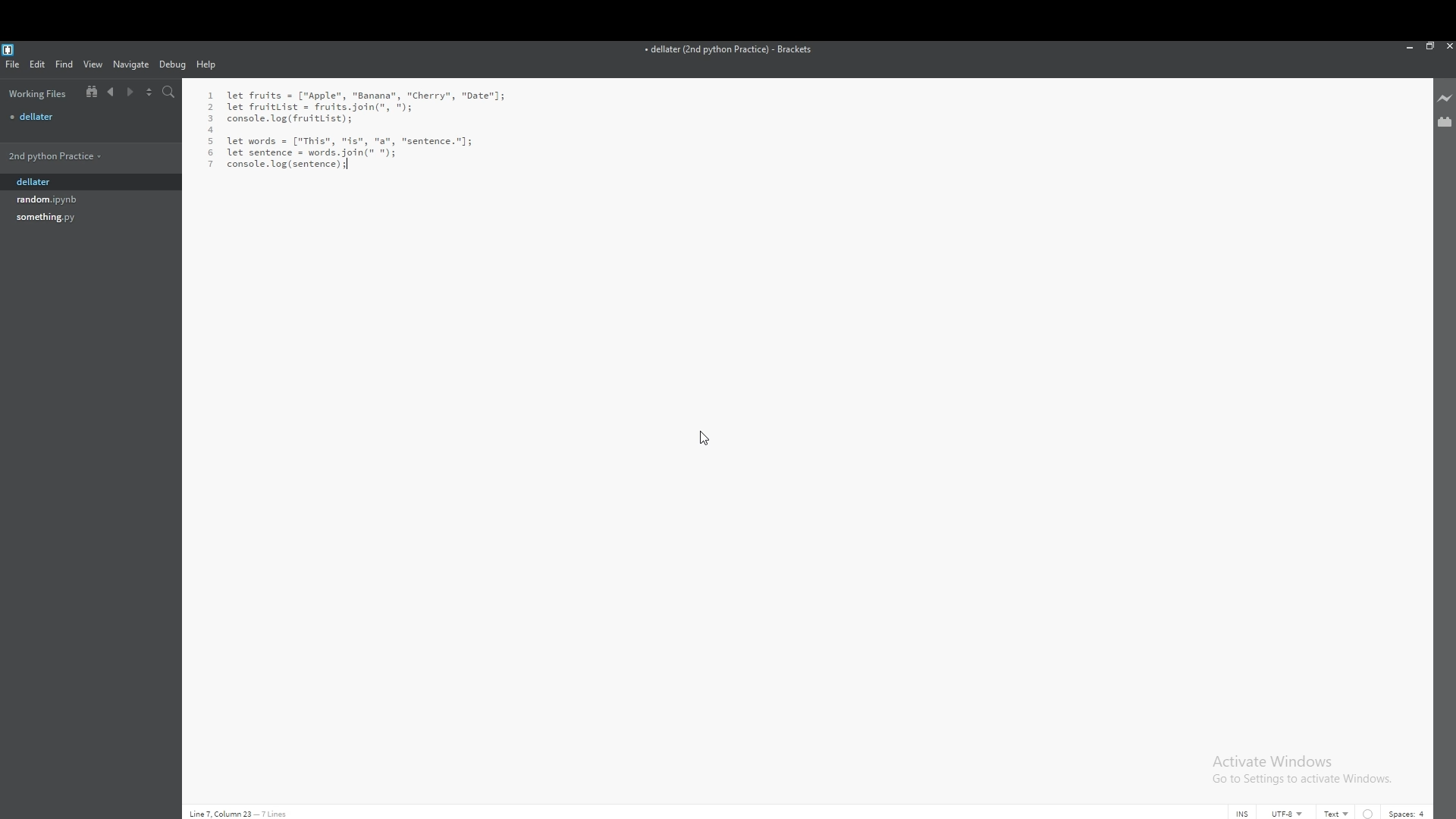 This screenshot has height=819, width=1456. What do you see at coordinates (71, 183) in the screenshot?
I see `dellat` at bounding box center [71, 183].